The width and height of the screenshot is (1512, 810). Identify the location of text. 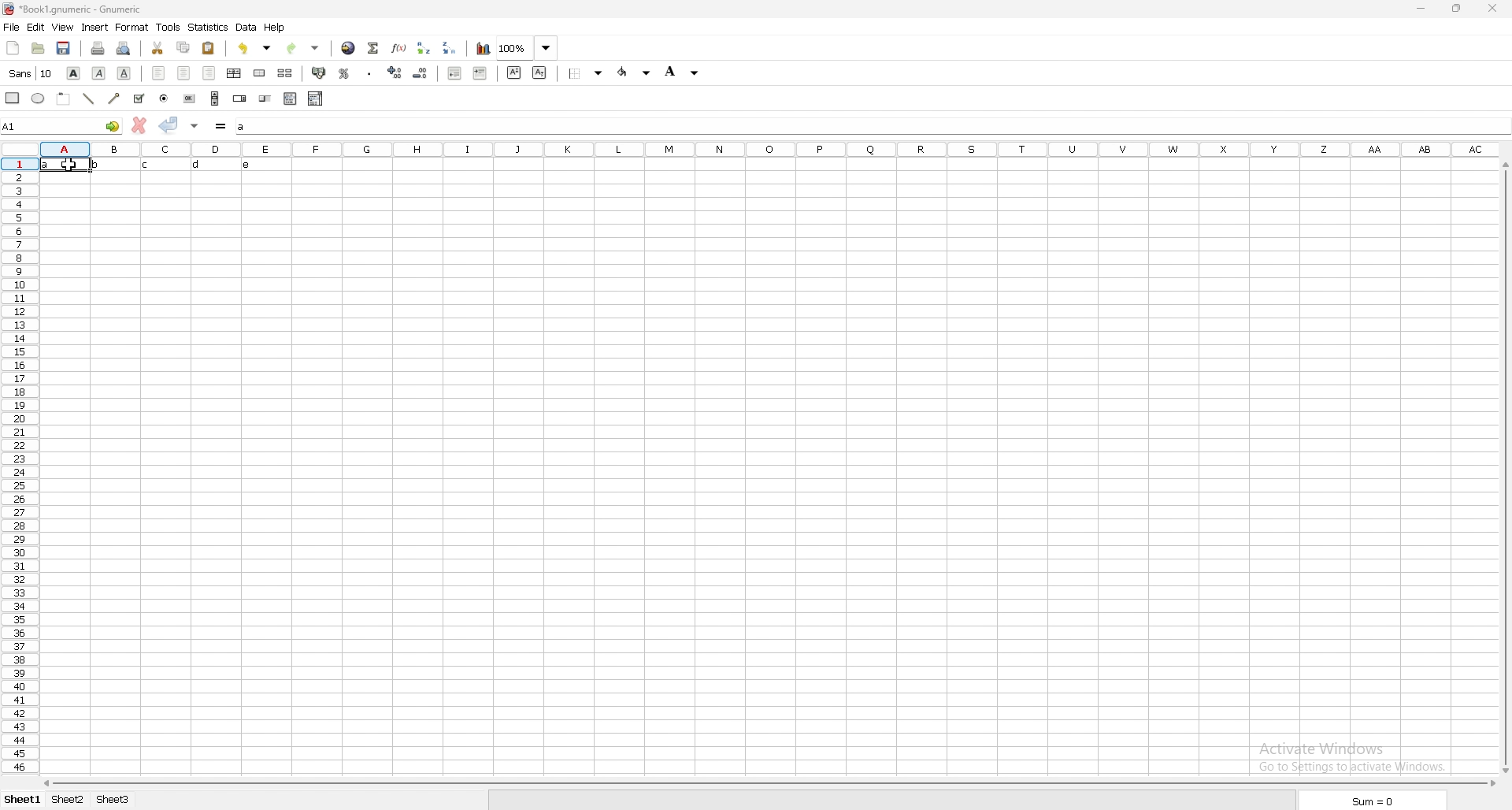
(157, 165).